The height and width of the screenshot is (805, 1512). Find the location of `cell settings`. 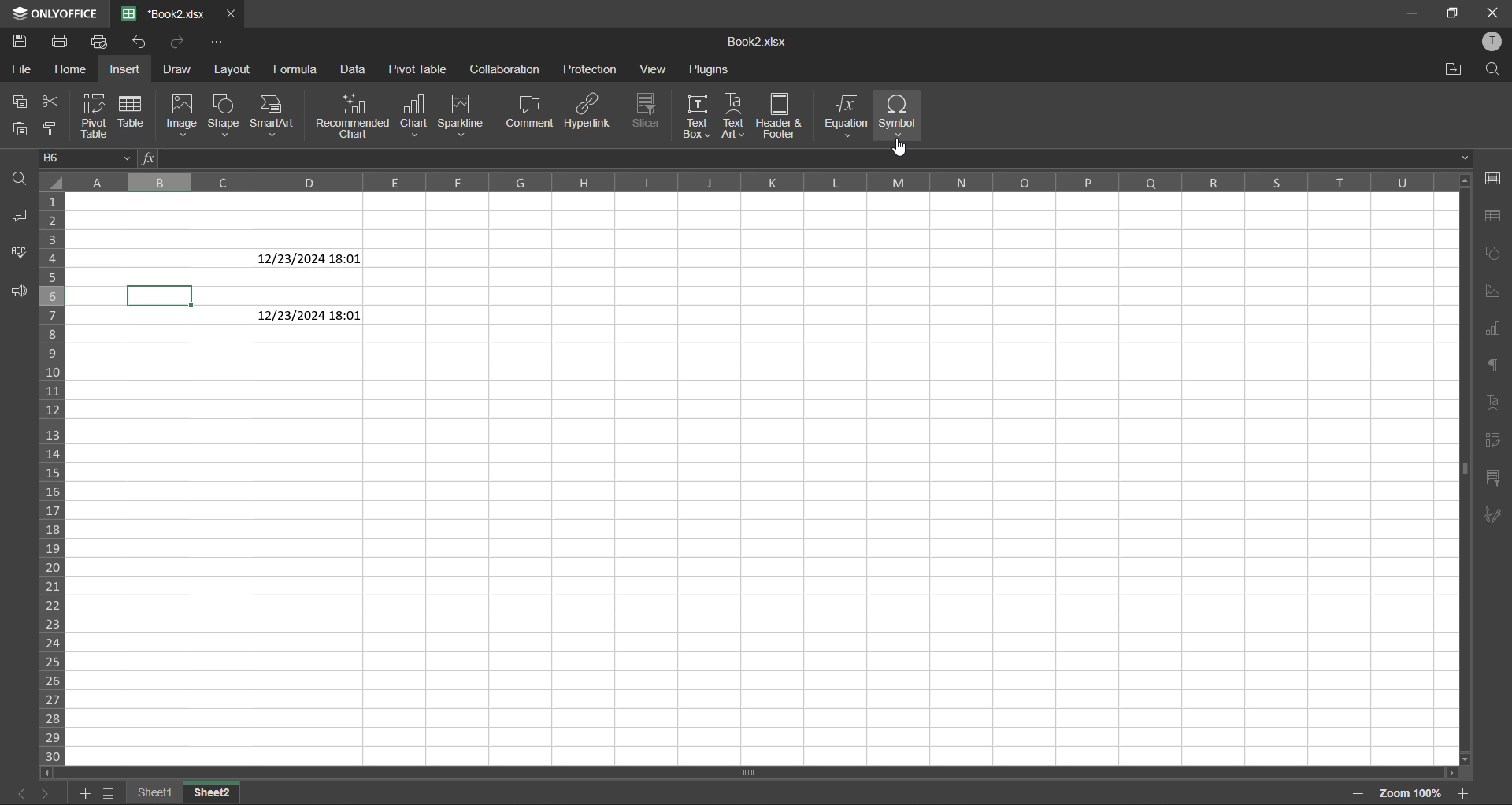

cell settings is located at coordinates (1492, 180).